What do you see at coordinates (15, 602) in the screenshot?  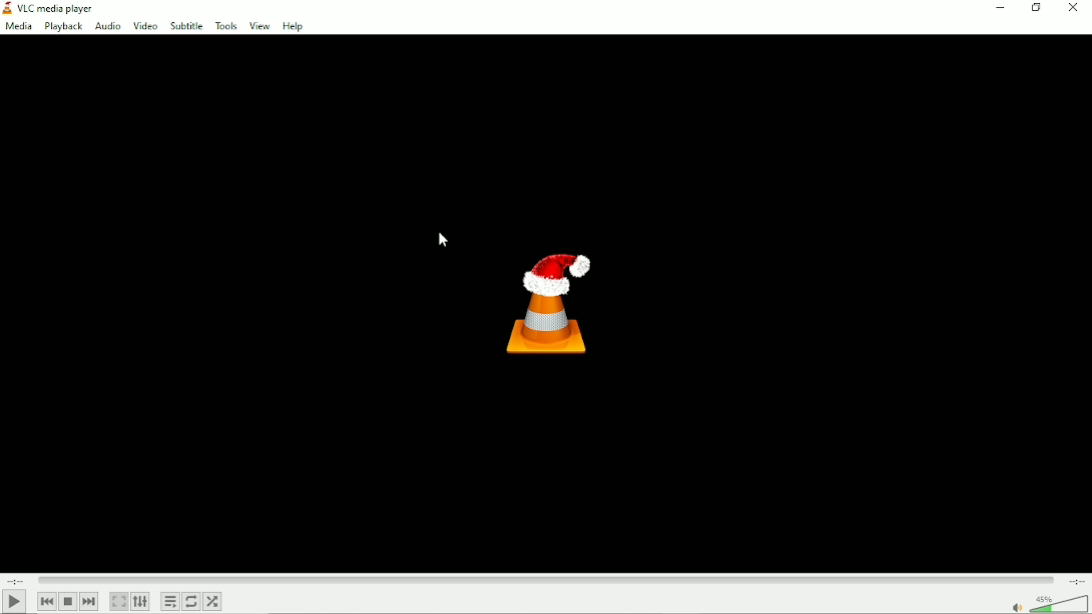 I see `Play` at bounding box center [15, 602].